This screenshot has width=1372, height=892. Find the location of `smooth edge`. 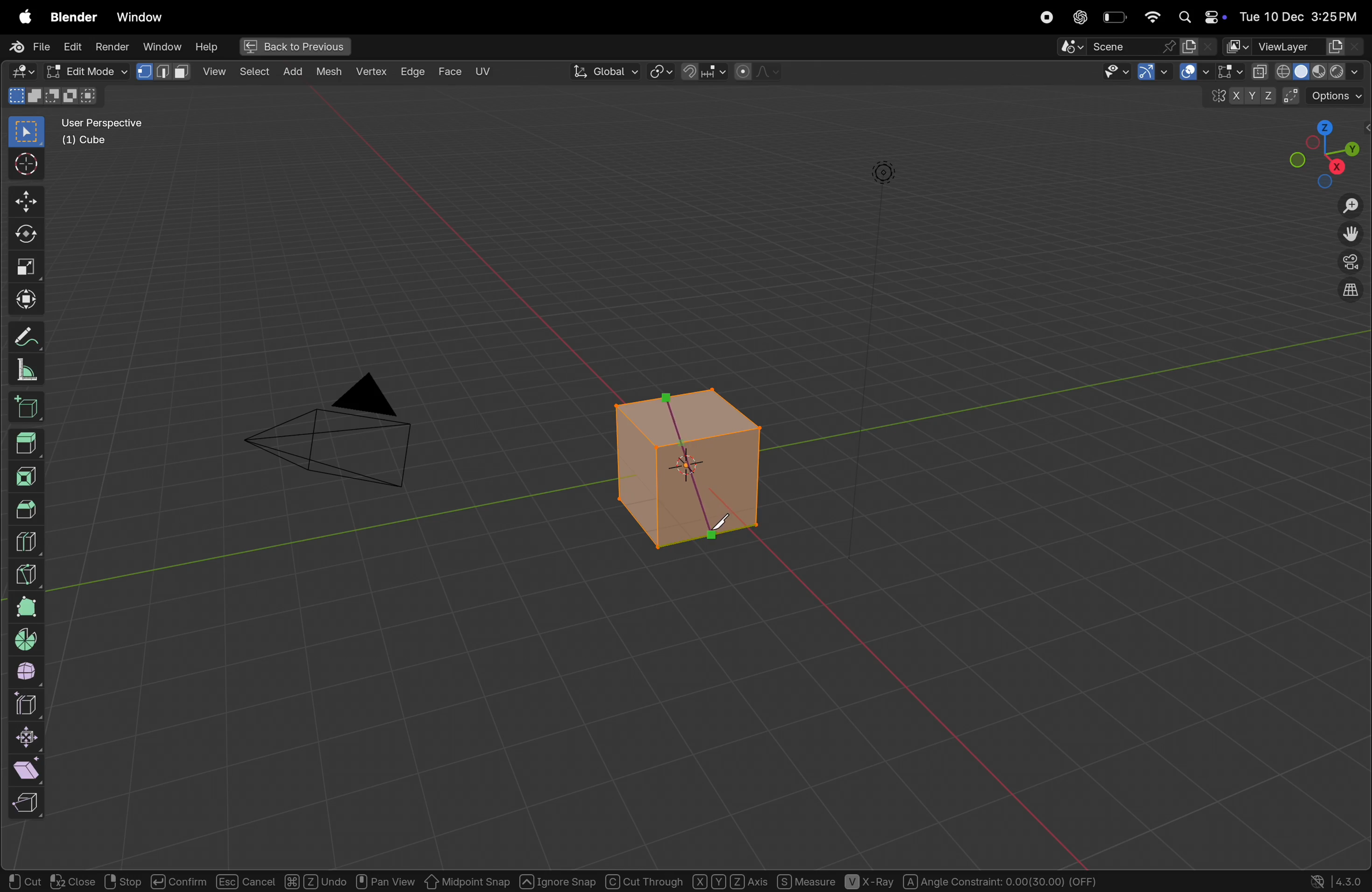

smooth edge is located at coordinates (31, 673).